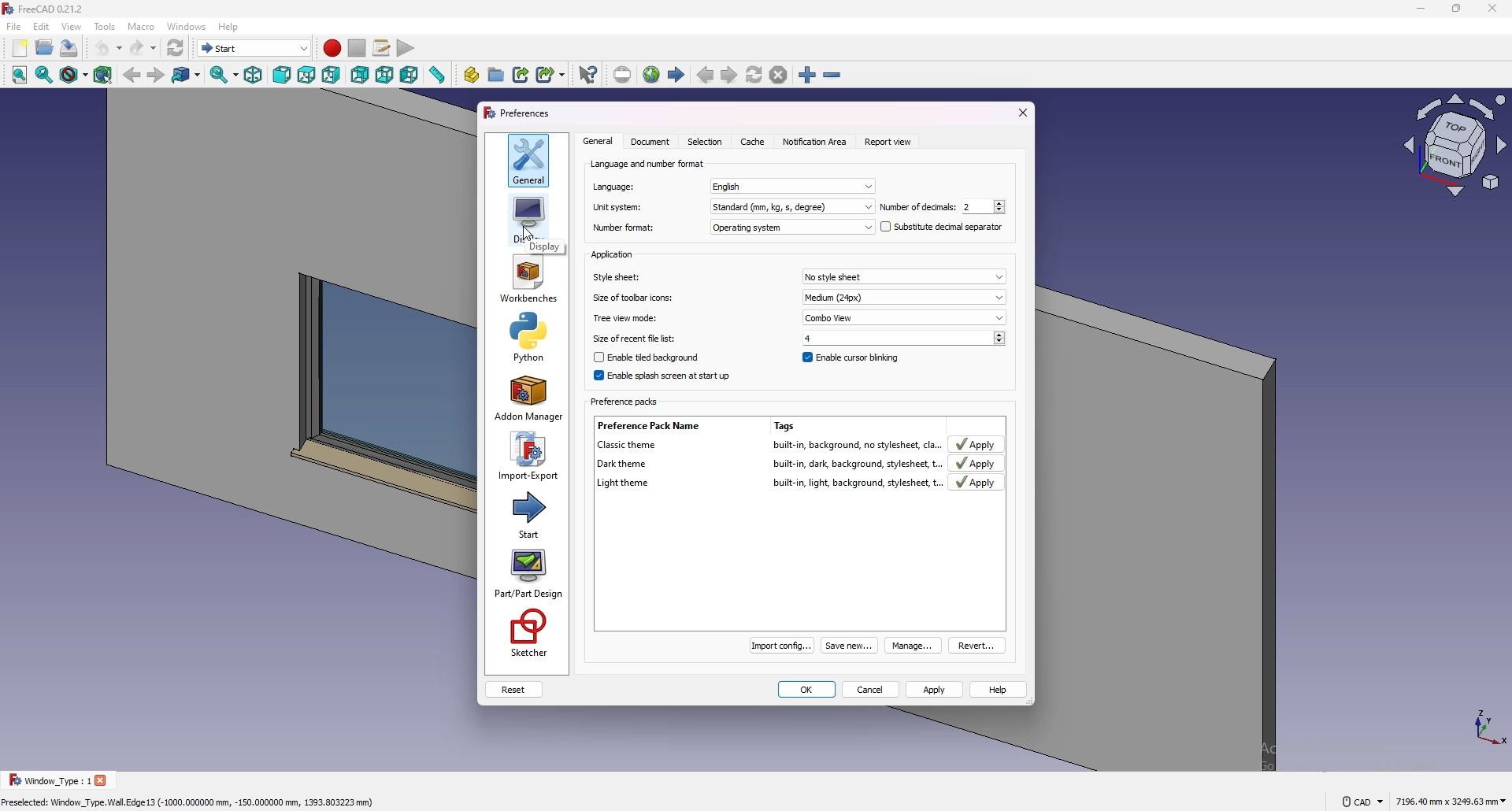 The height and width of the screenshot is (811, 1512). Describe the element at coordinates (44, 75) in the screenshot. I see `fit selection` at that location.